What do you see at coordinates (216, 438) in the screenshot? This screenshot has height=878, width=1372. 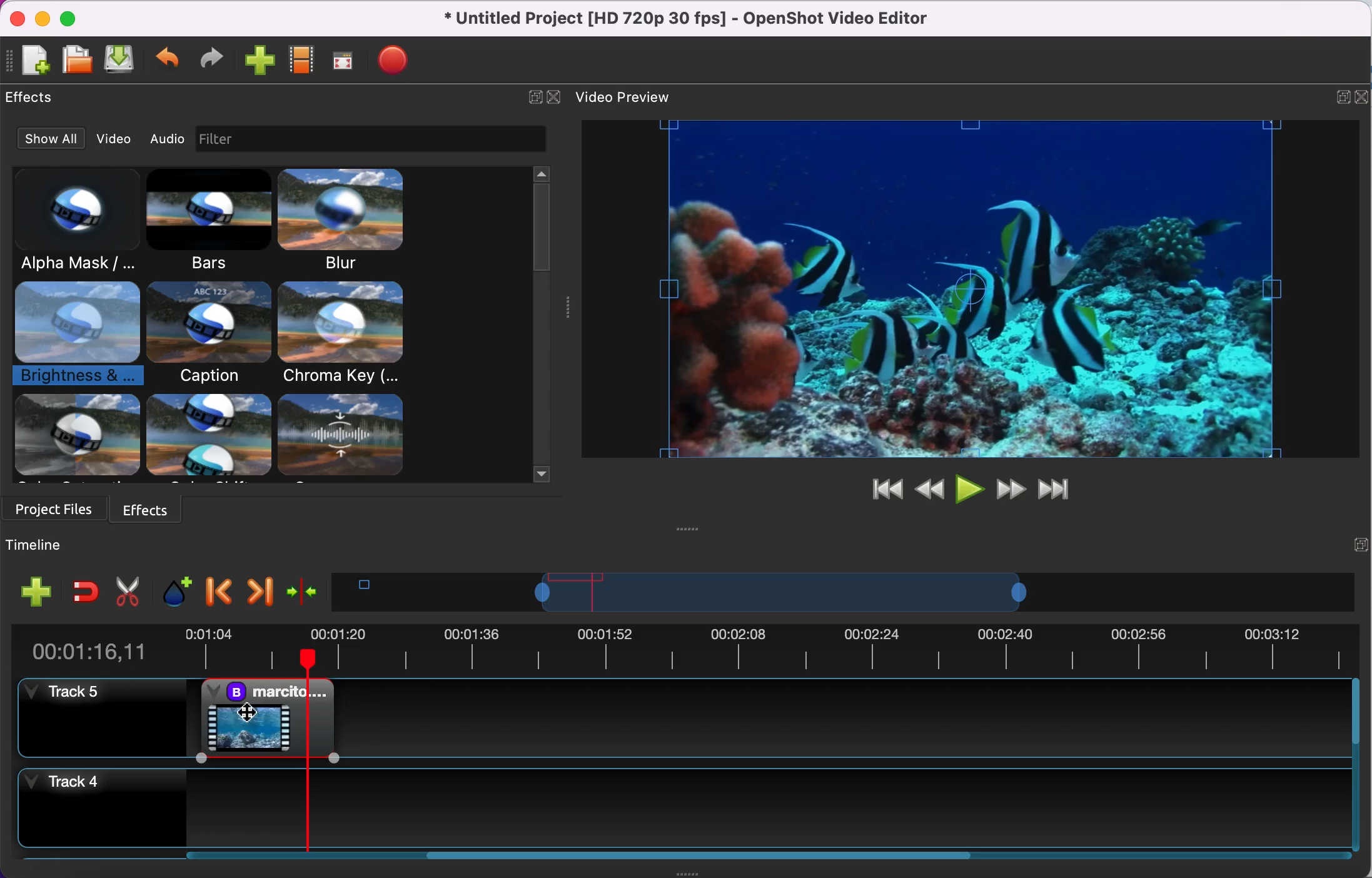 I see `other effects` at bounding box center [216, 438].